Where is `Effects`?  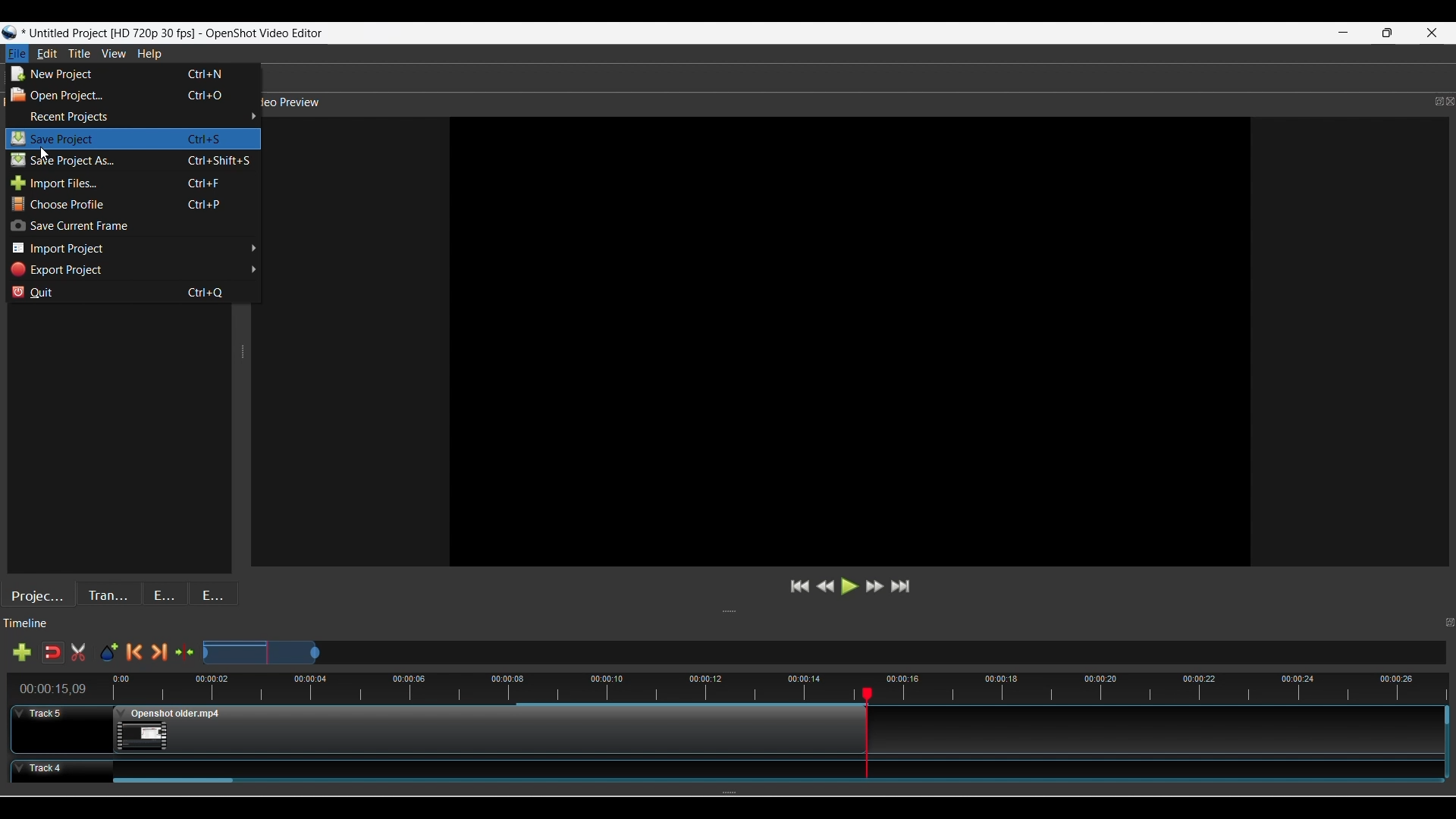 Effects is located at coordinates (166, 593).